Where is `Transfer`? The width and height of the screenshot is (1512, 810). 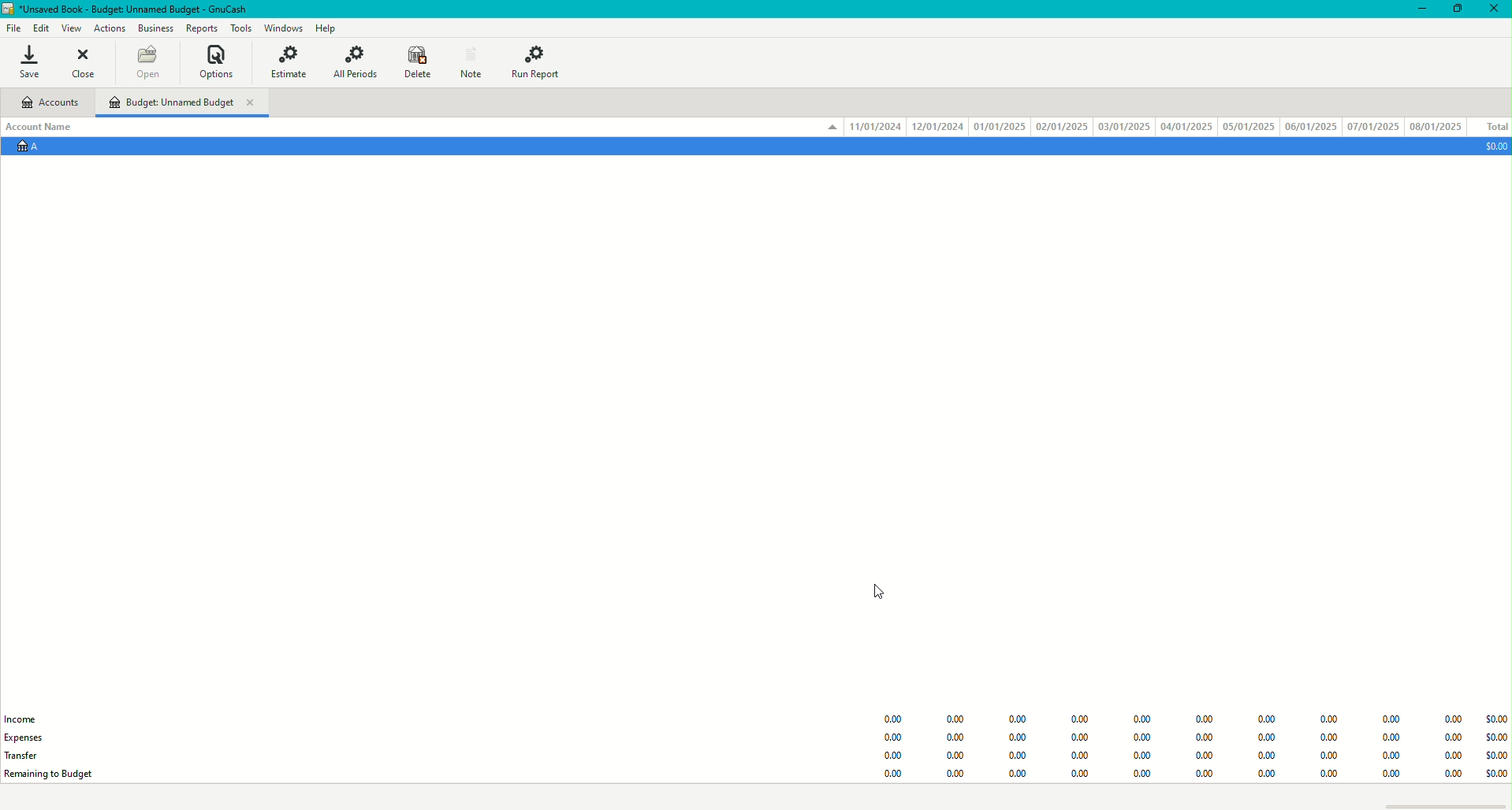
Transfer is located at coordinates (31, 755).